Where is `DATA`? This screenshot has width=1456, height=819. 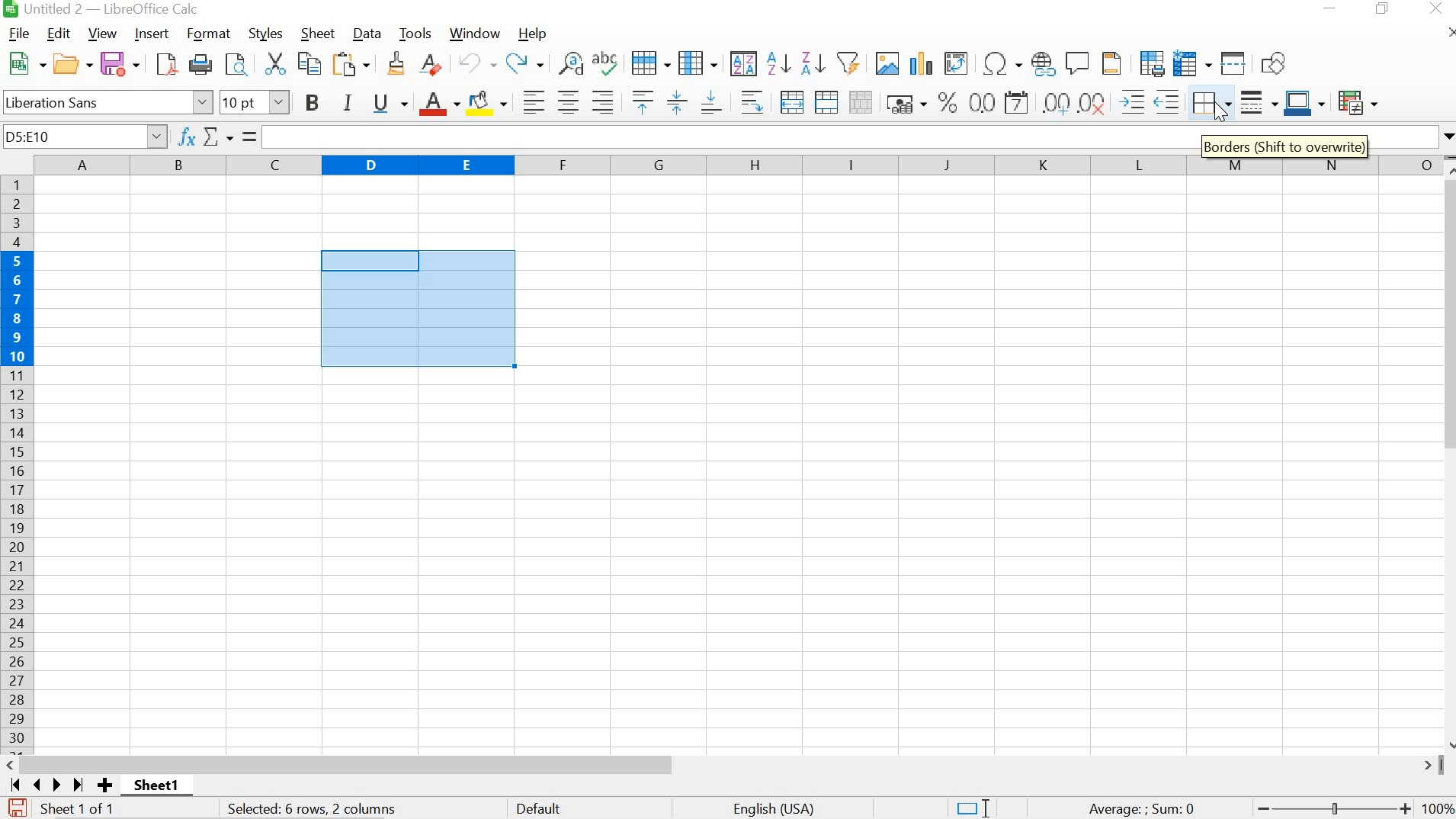
DATA is located at coordinates (364, 33).